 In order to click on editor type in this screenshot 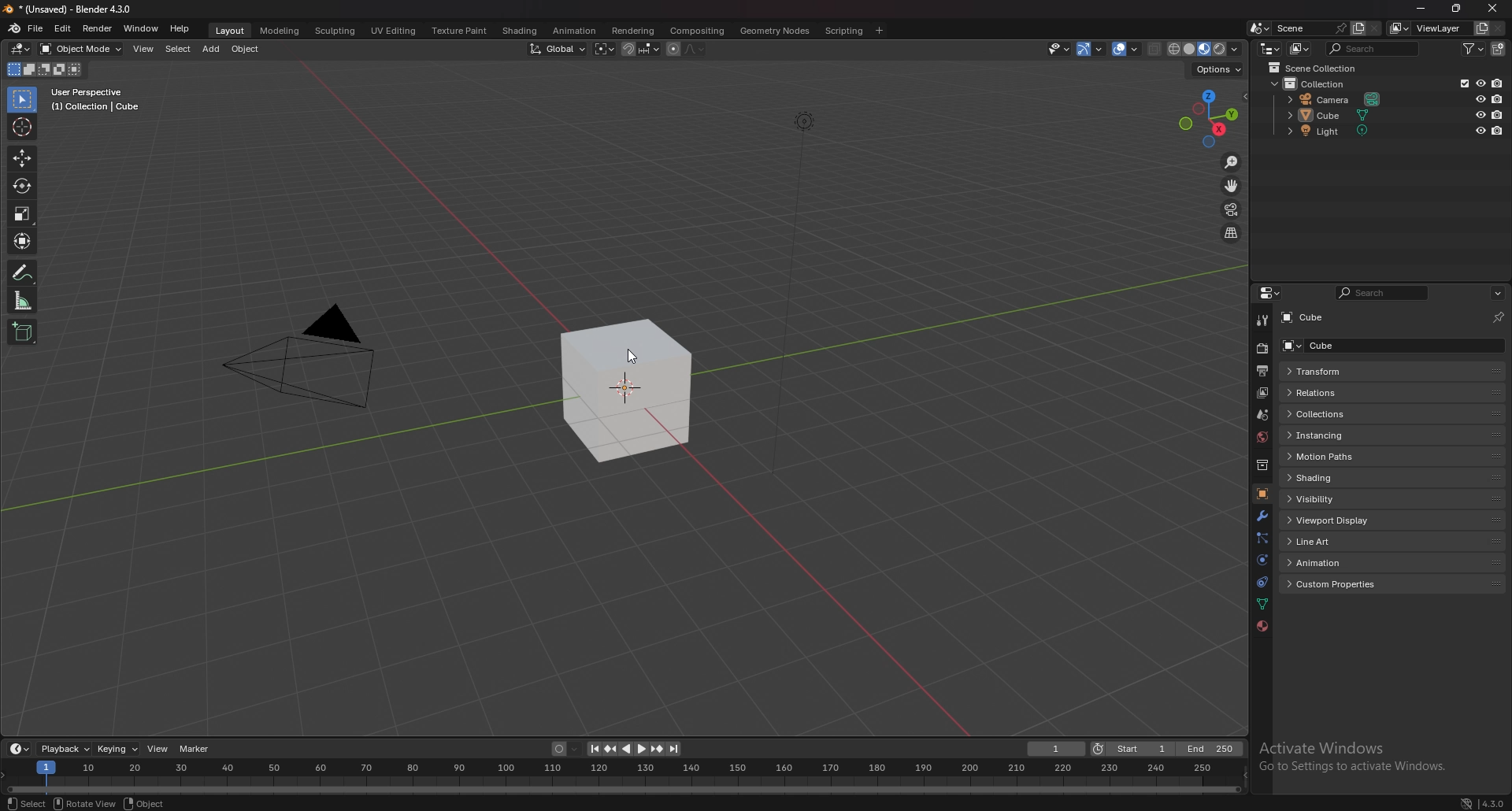, I will do `click(20, 748)`.